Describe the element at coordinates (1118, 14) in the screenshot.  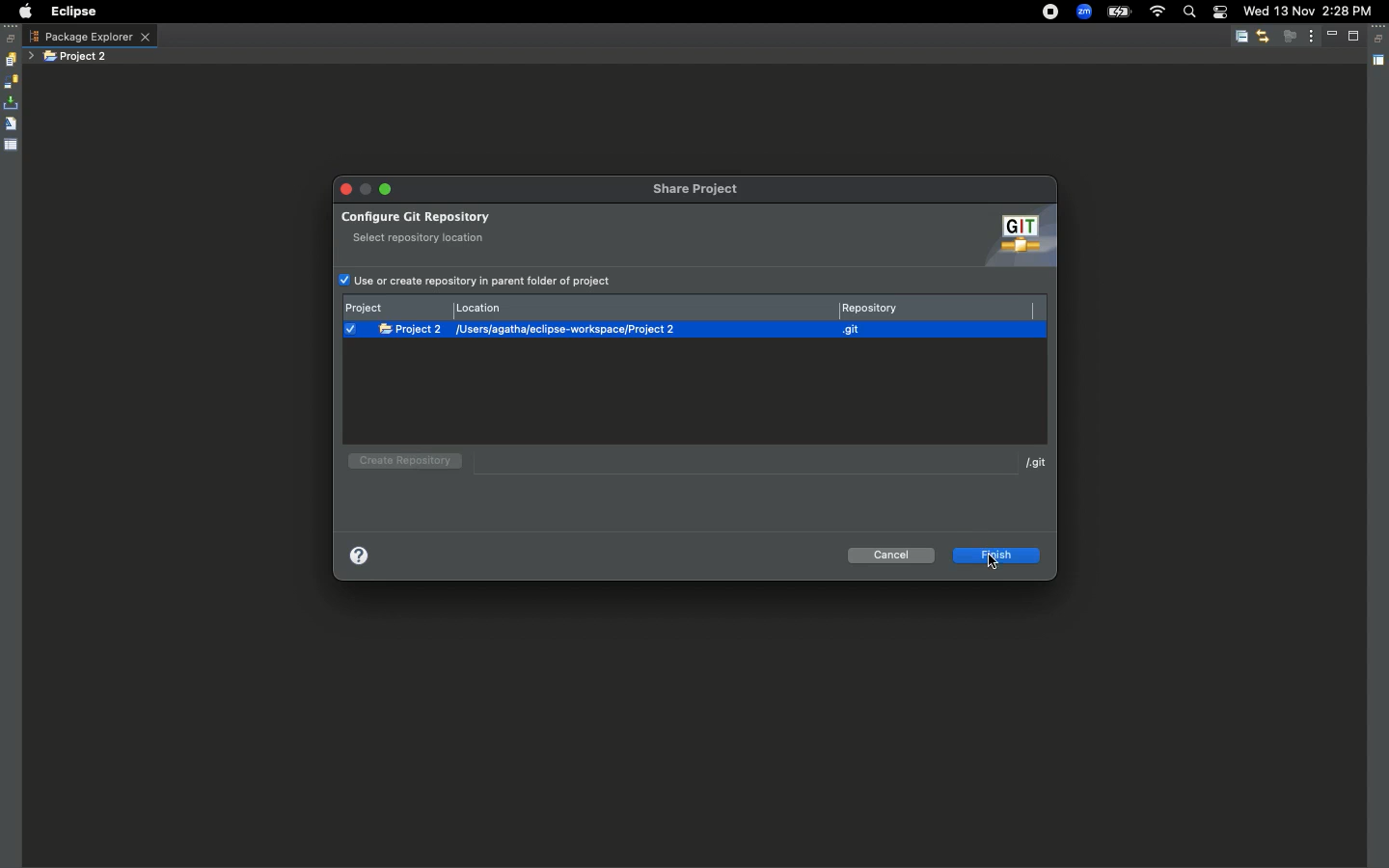
I see `Charge` at that location.